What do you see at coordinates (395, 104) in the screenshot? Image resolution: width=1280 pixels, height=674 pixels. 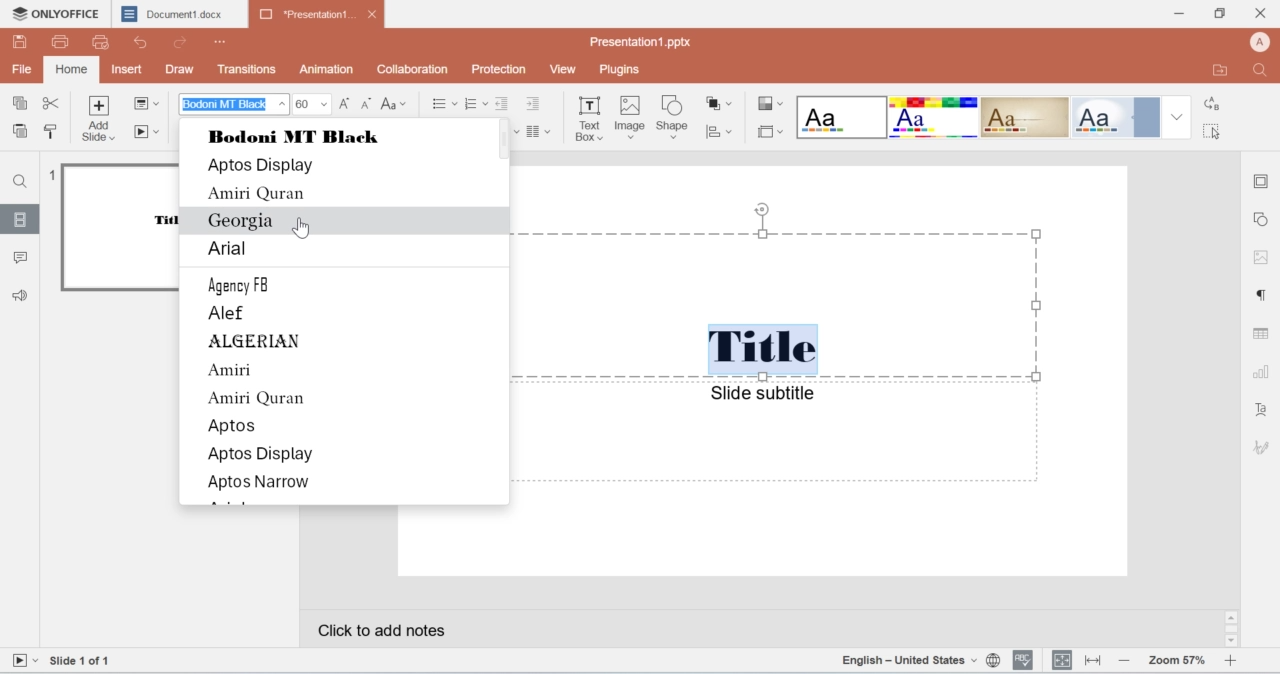 I see `case` at bounding box center [395, 104].